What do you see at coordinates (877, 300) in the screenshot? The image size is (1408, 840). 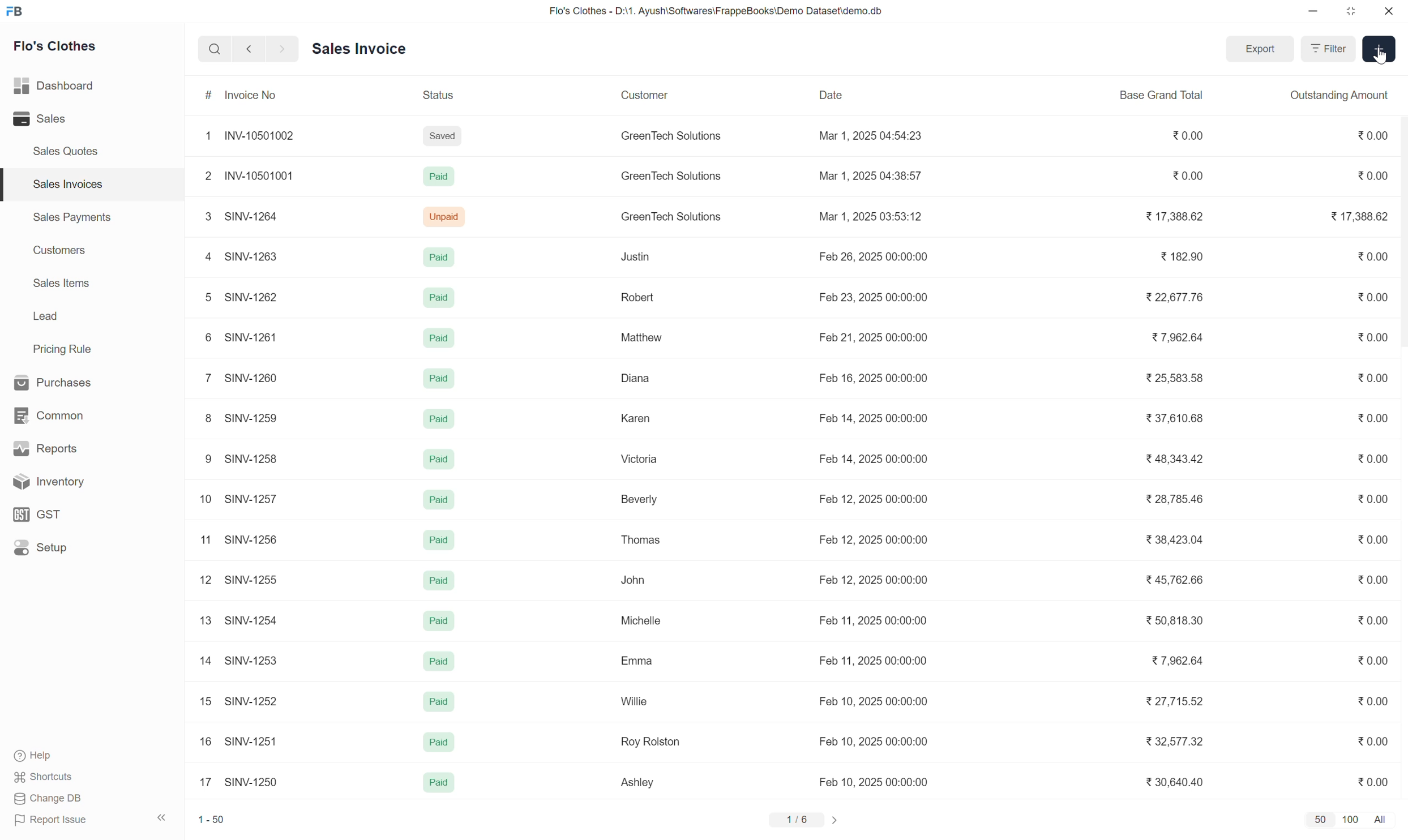 I see `Feb 23, 2025 00:00:00` at bounding box center [877, 300].